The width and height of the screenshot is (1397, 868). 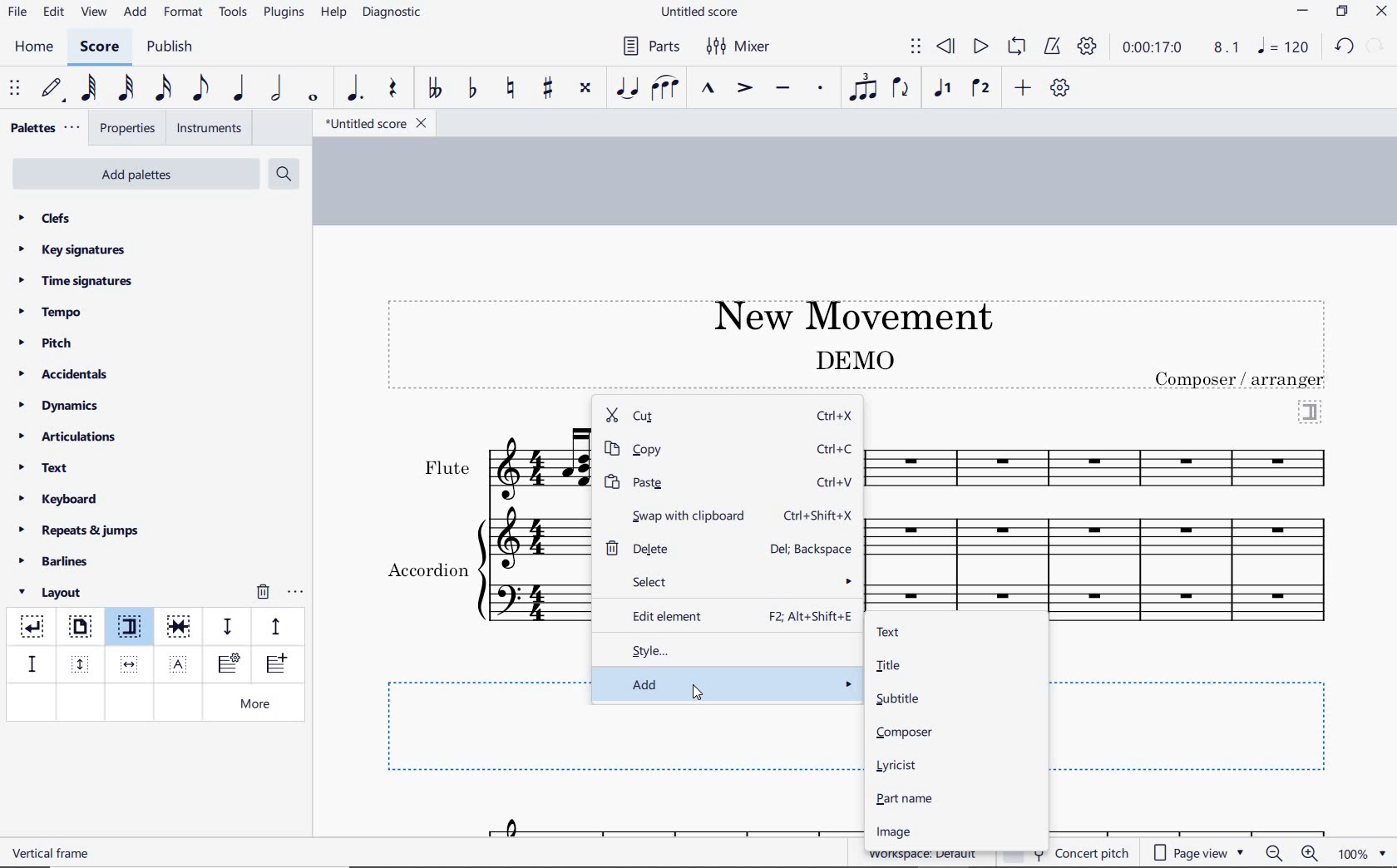 I want to click on keep measure on the same system, so click(x=180, y=627).